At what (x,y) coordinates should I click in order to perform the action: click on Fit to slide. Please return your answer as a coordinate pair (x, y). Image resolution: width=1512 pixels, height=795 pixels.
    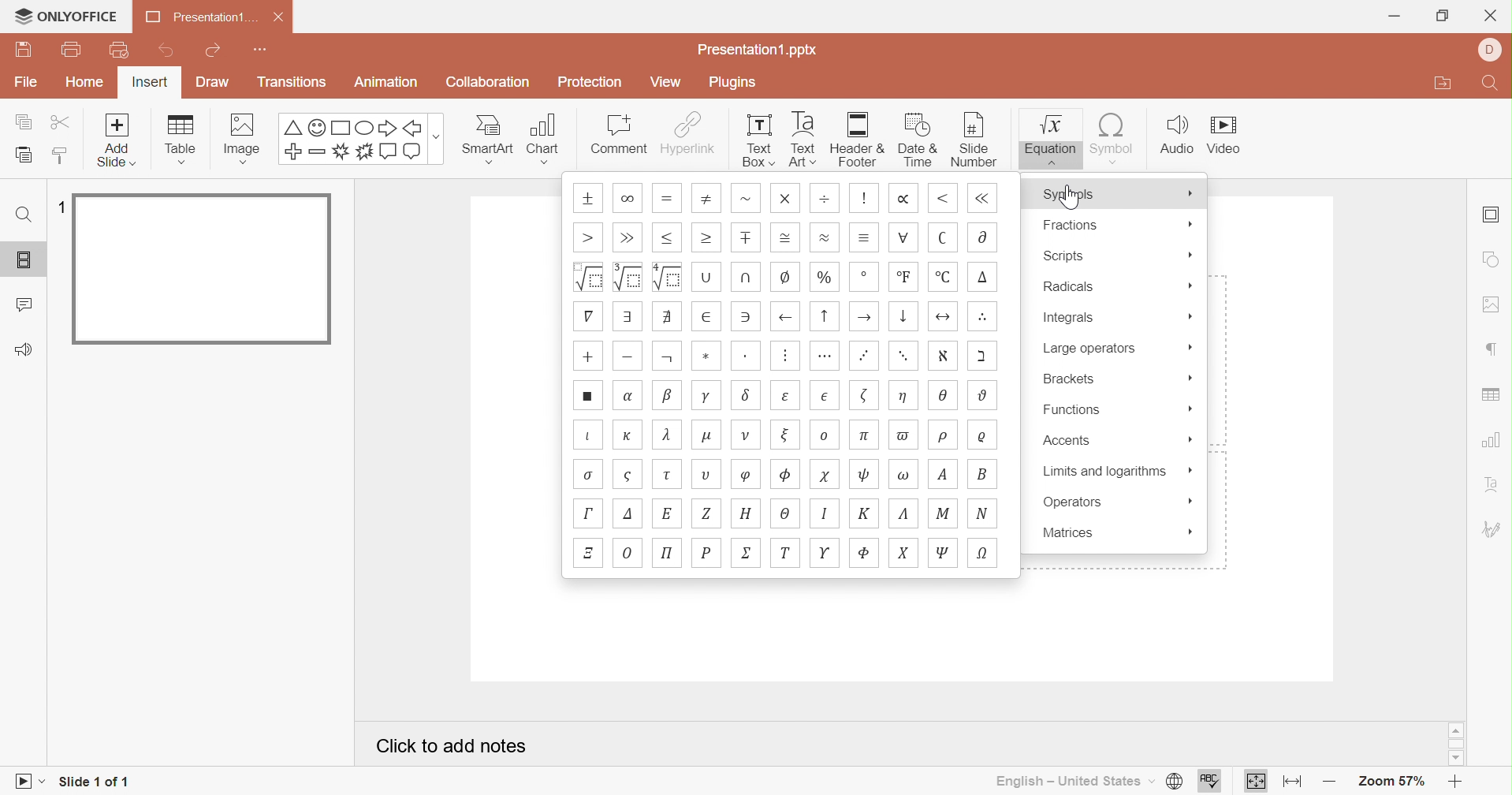
    Looking at the image, I should click on (1258, 782).